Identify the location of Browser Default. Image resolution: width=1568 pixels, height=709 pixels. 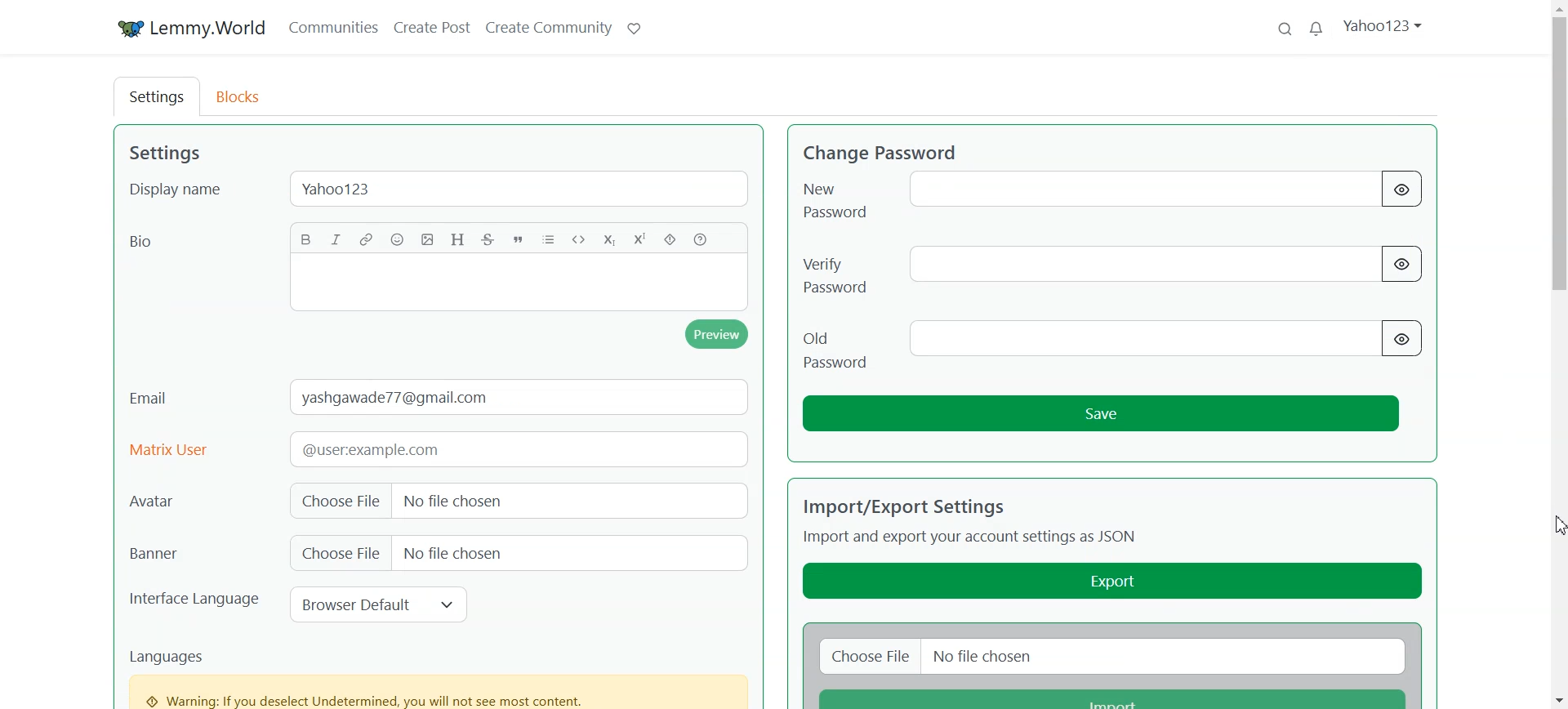
(376, 604).